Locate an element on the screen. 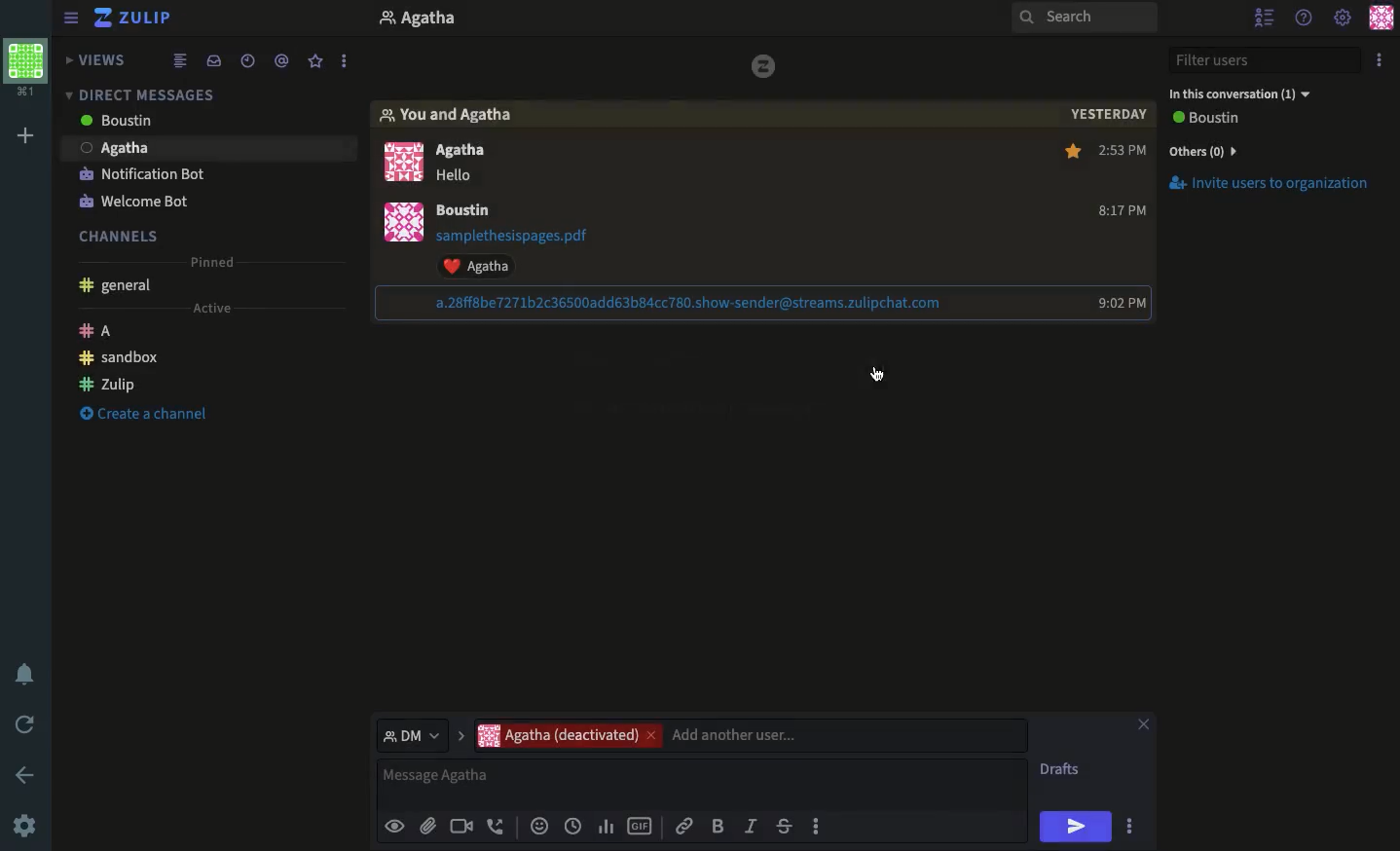 The height and width of the screenshot is (851, 1400). Audio call is located at coordinates (497, 828).